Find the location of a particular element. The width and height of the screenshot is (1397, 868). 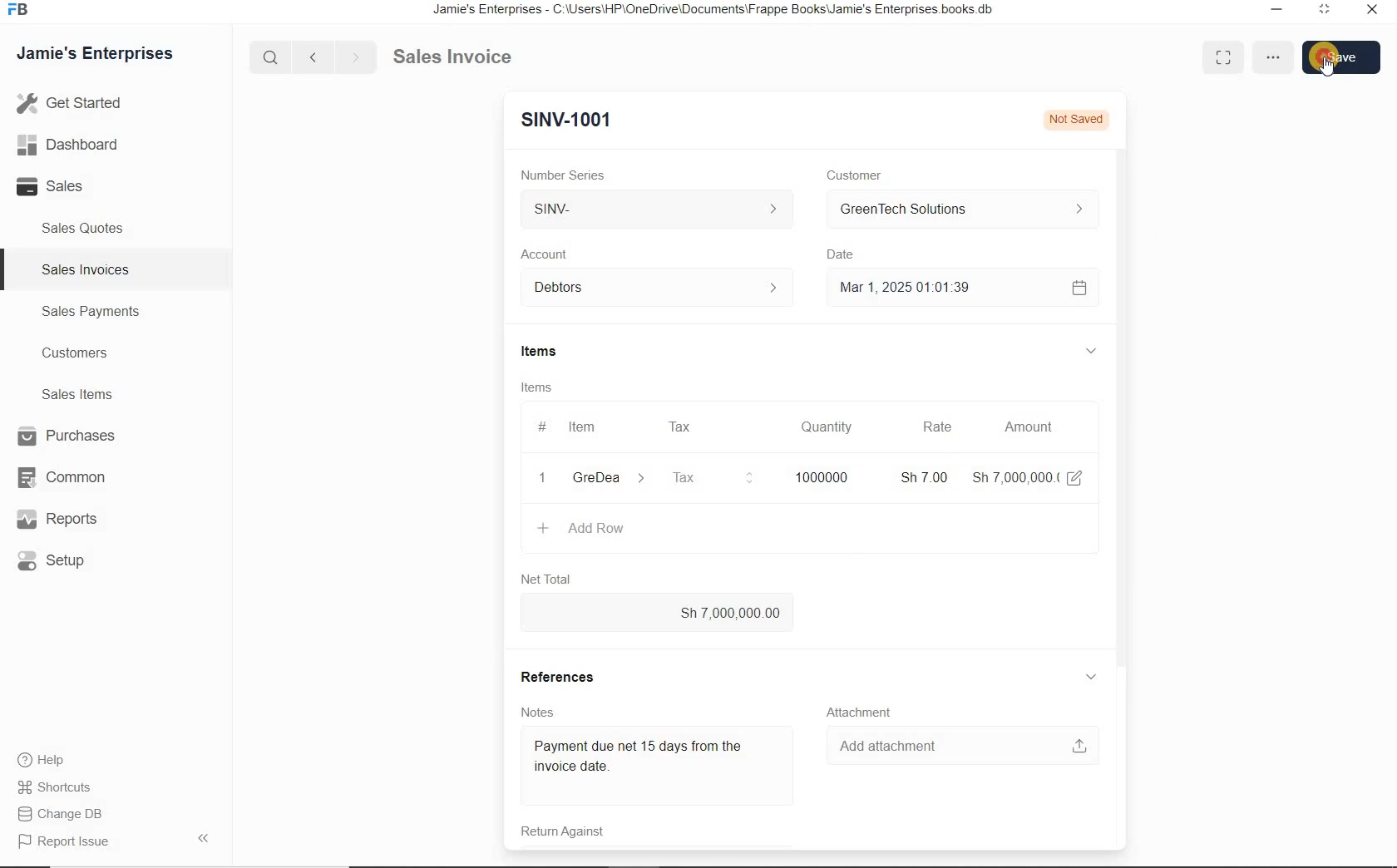

minimize is located at coordinates (1324, 12).